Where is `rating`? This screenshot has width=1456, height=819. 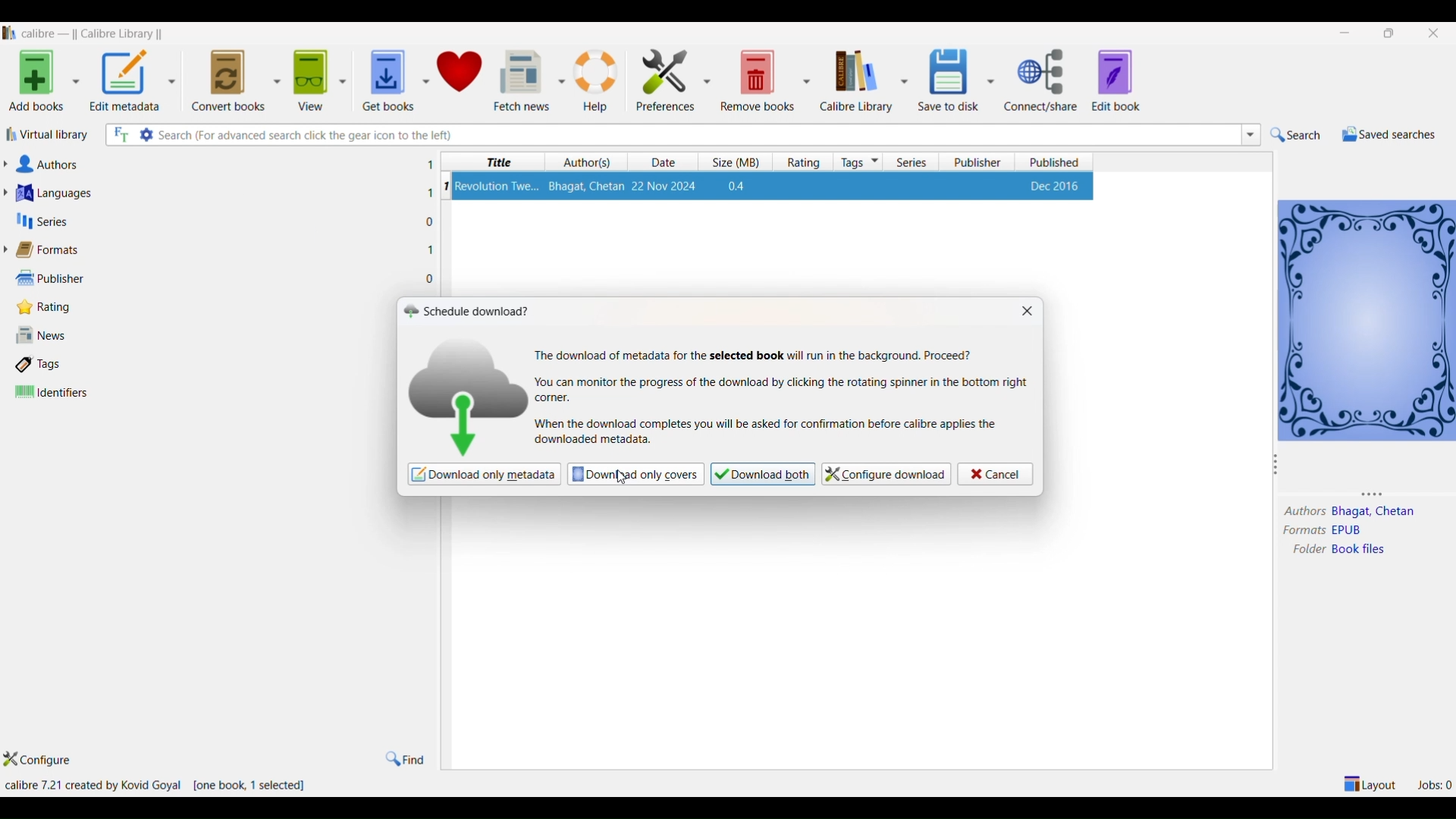 rating is located at coordinates (799, 162).